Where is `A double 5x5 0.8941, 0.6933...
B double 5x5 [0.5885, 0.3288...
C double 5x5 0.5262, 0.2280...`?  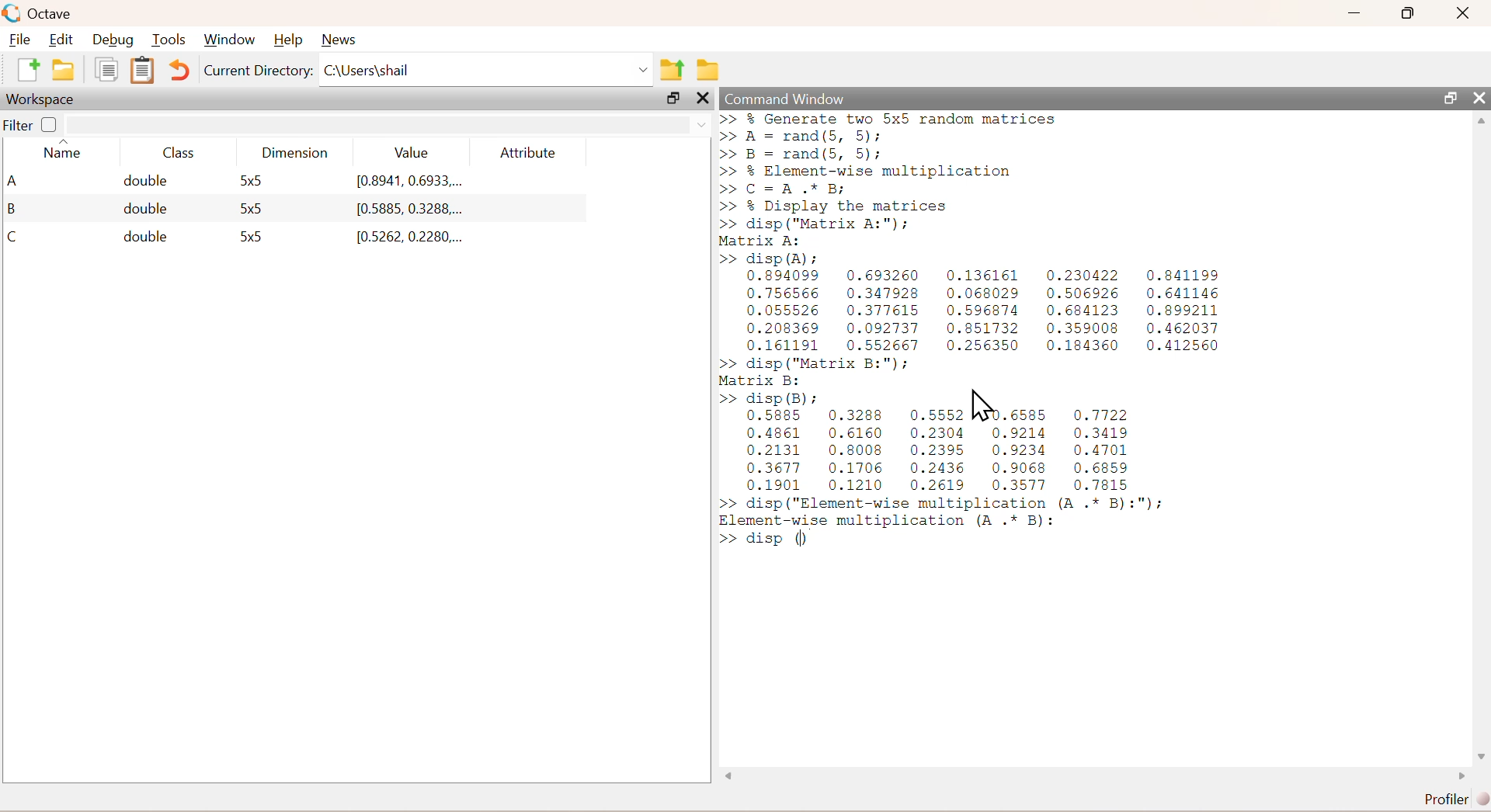 A double 5x5 0.8941, 0.6933...
B double 5x5 [0.5885, 0.3288...
C double 5x5 0.5262, 0.2280... is located at coordinates (265, 210).